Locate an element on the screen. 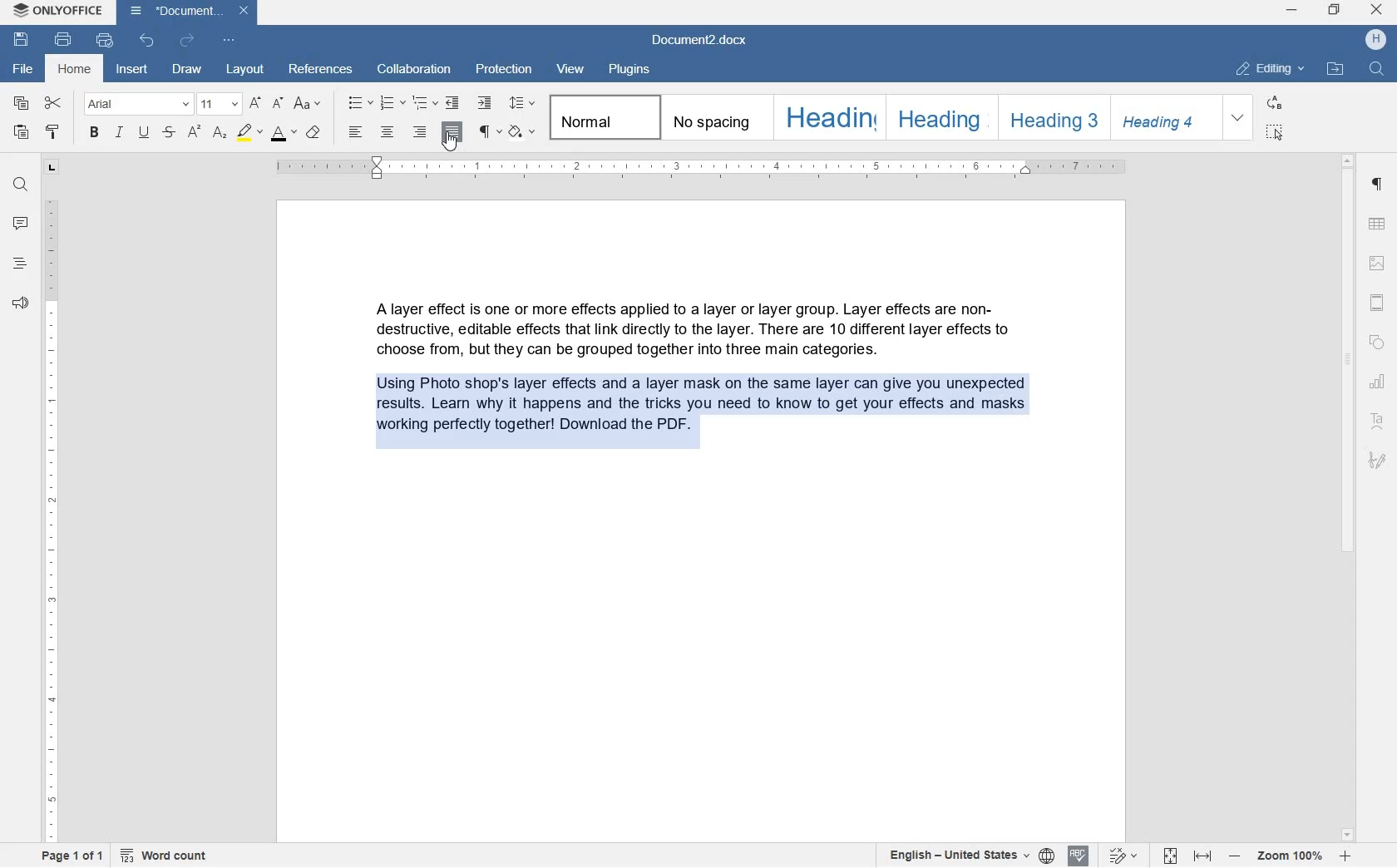 The height and width of the screenshot is (868, 1397). HEADING 4 is located at coordinates (1161, 118).